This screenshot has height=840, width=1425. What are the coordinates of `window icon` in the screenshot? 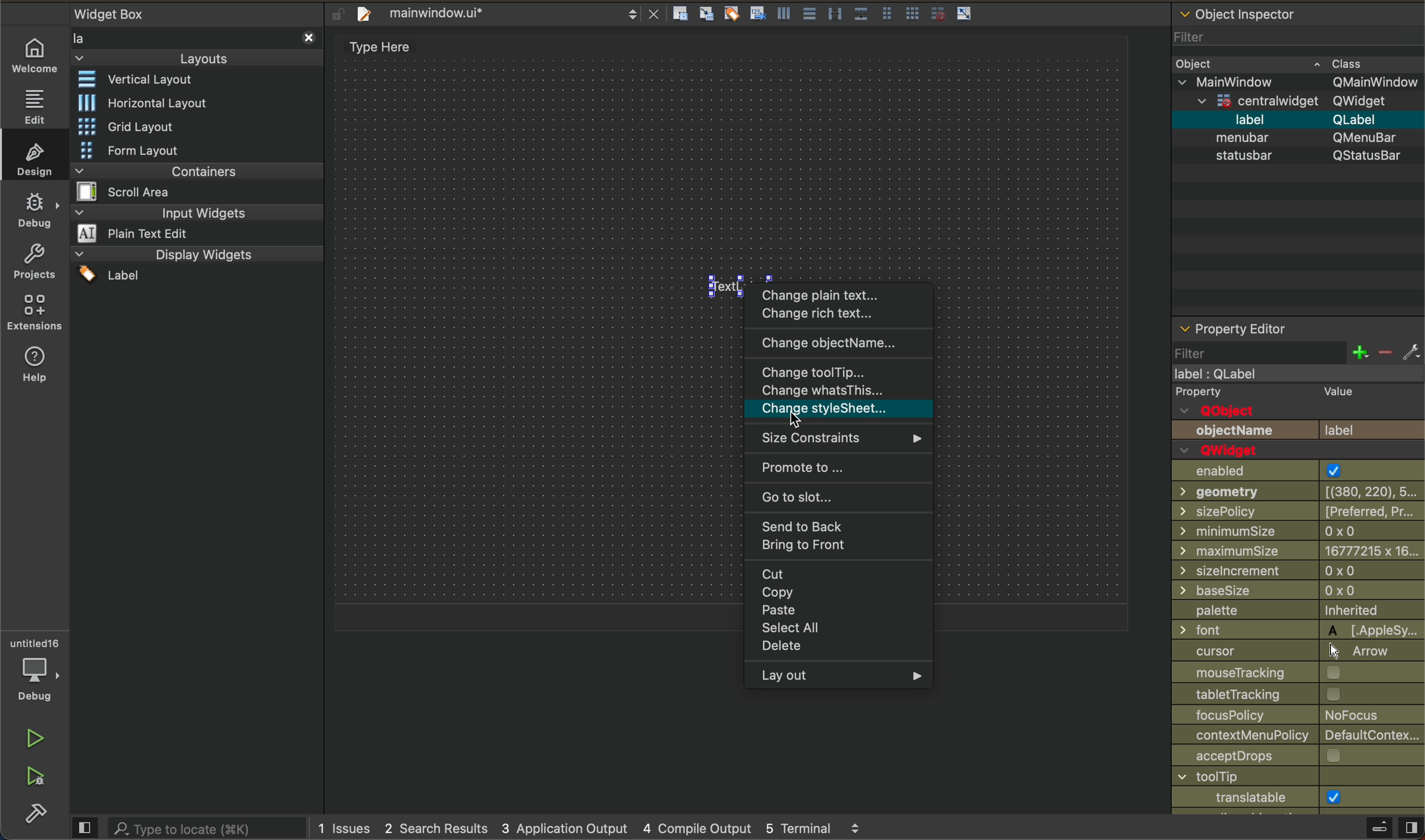 It's located at (1297, 796).